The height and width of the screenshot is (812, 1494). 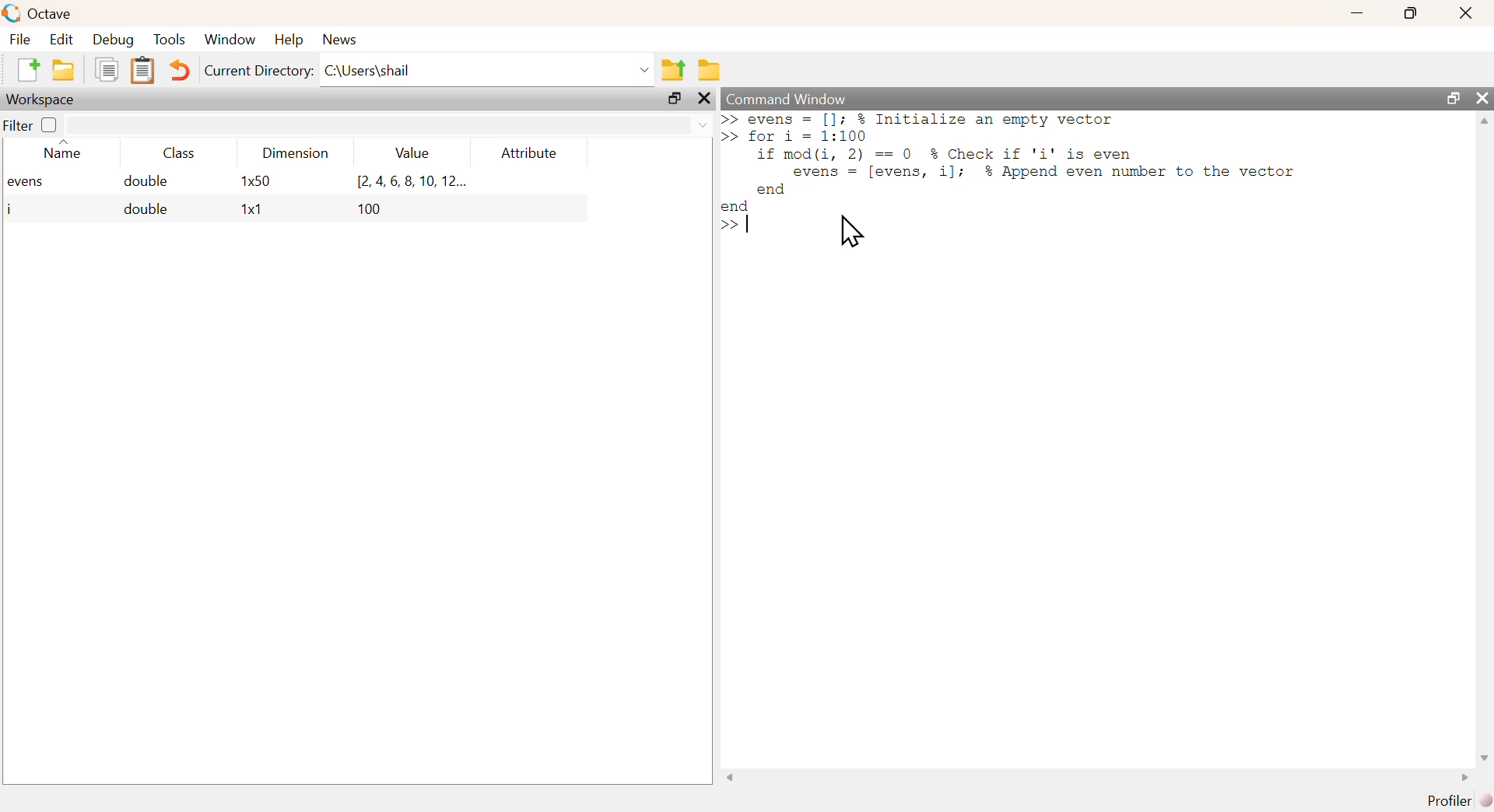 I want to click on cursor, so click(x=852, y=232).